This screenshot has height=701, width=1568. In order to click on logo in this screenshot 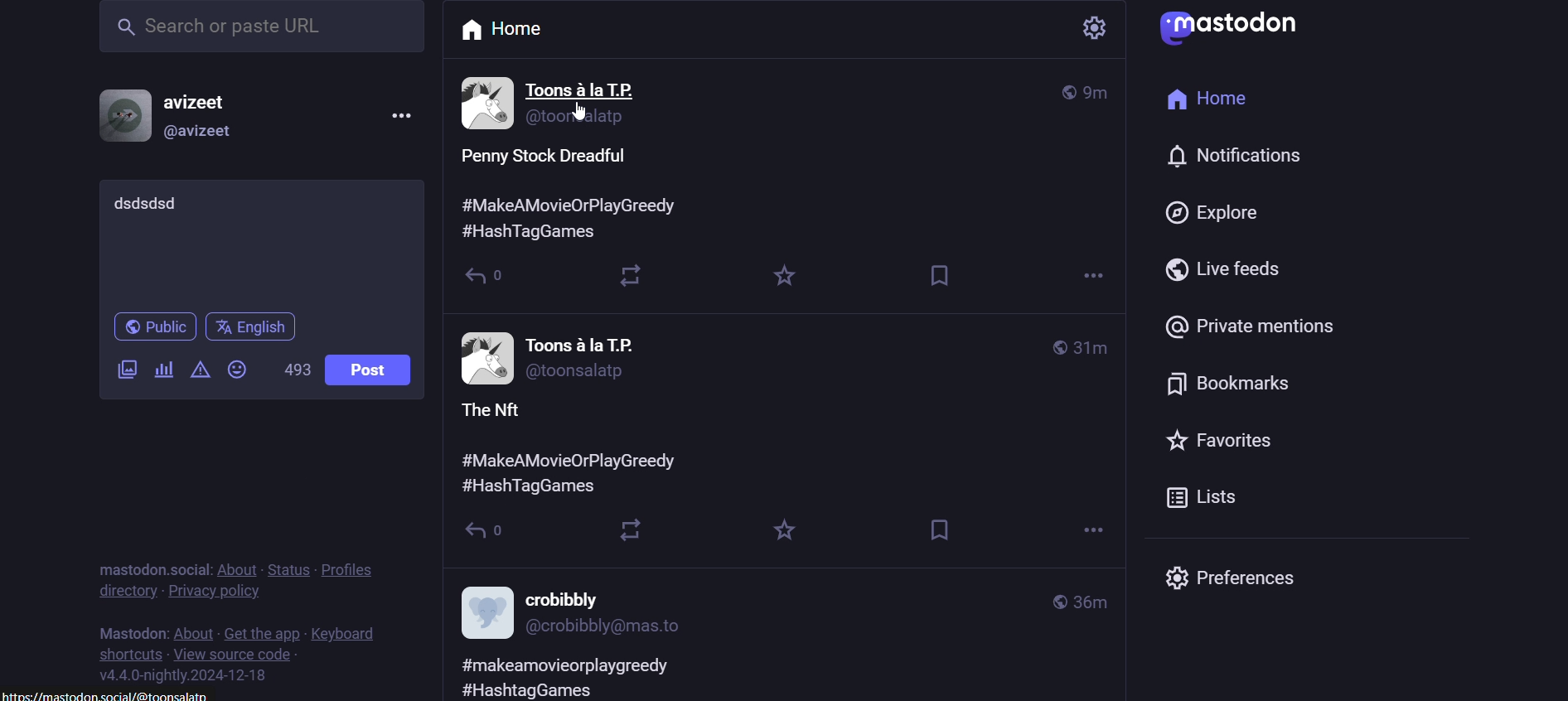, I will do `click(1240, 28)`.